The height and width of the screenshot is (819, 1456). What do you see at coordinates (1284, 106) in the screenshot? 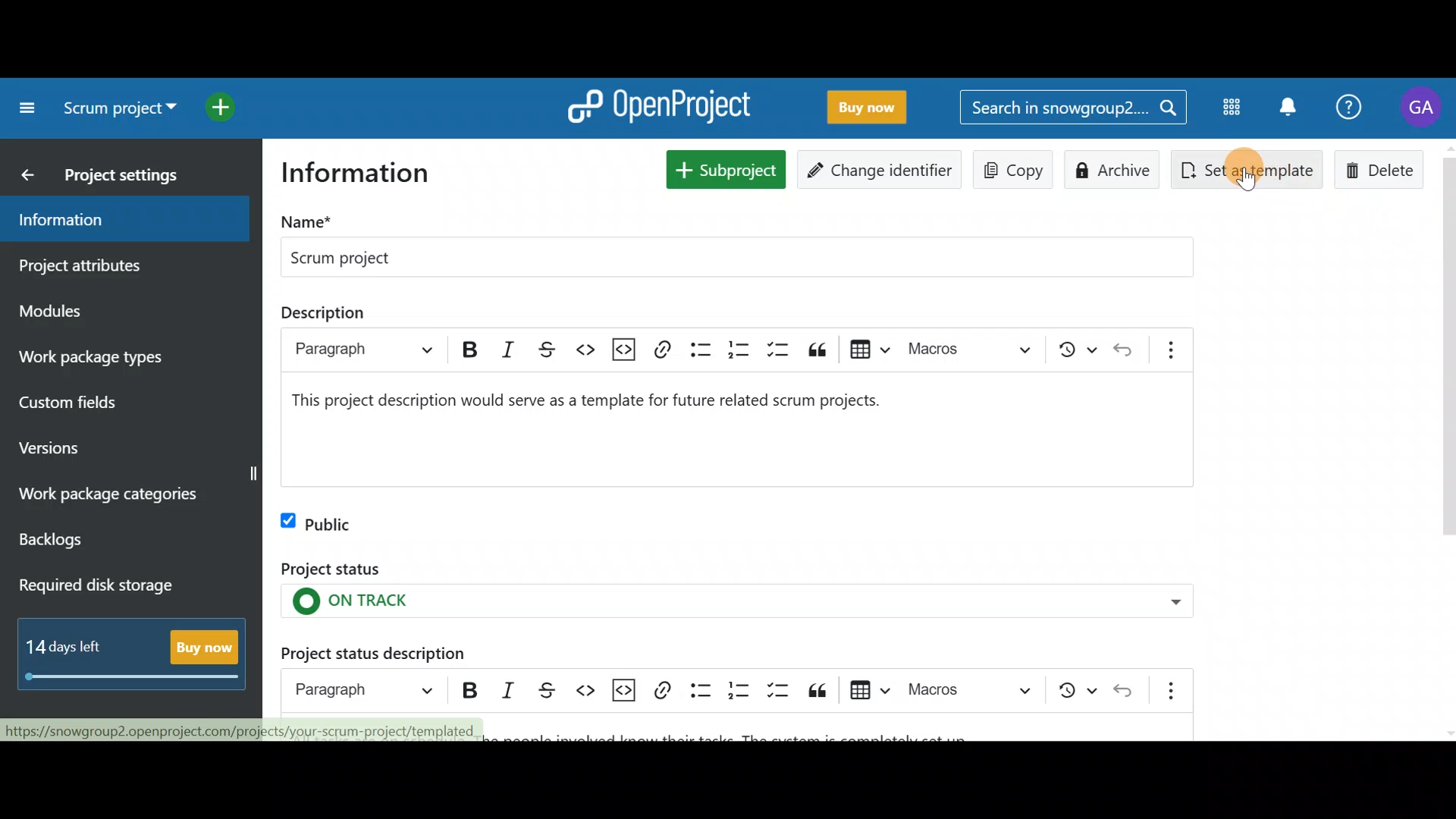
I see `Notification centre` at bounding box center [1284, 106].